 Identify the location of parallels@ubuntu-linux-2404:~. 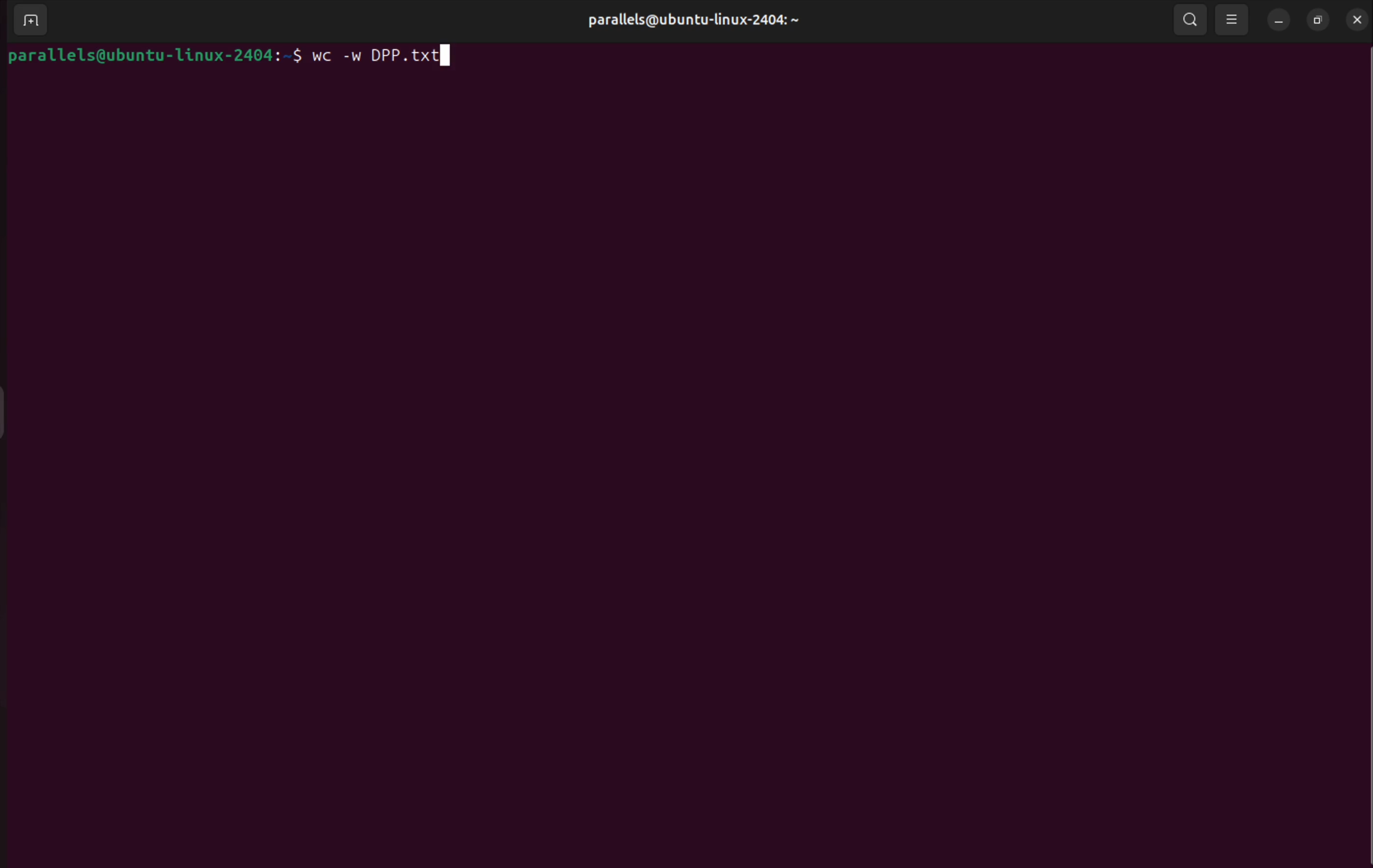
(694, 20).